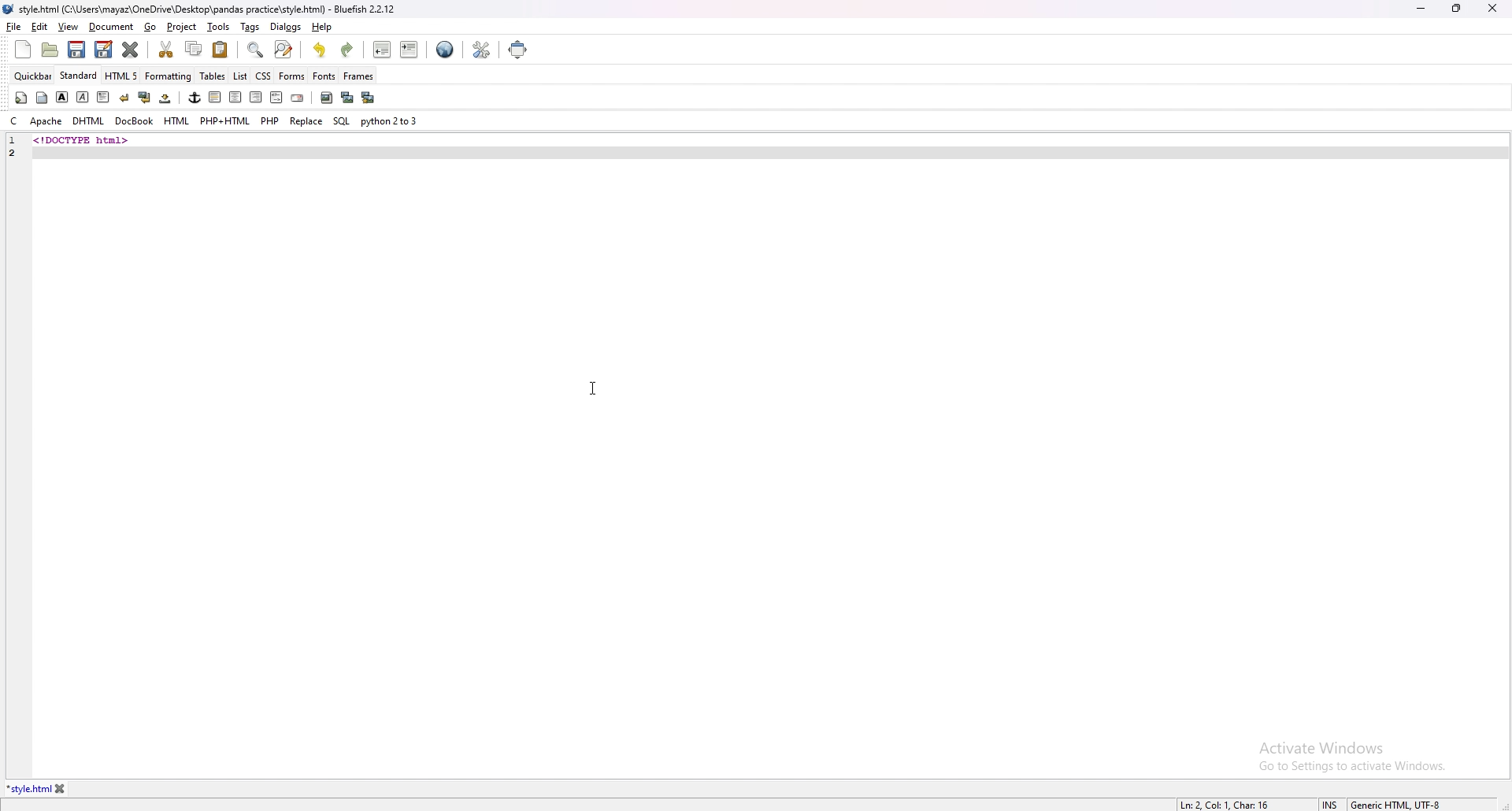 This screenshot has height=811, width=1512. I want to click on replace, so click(306, 120).